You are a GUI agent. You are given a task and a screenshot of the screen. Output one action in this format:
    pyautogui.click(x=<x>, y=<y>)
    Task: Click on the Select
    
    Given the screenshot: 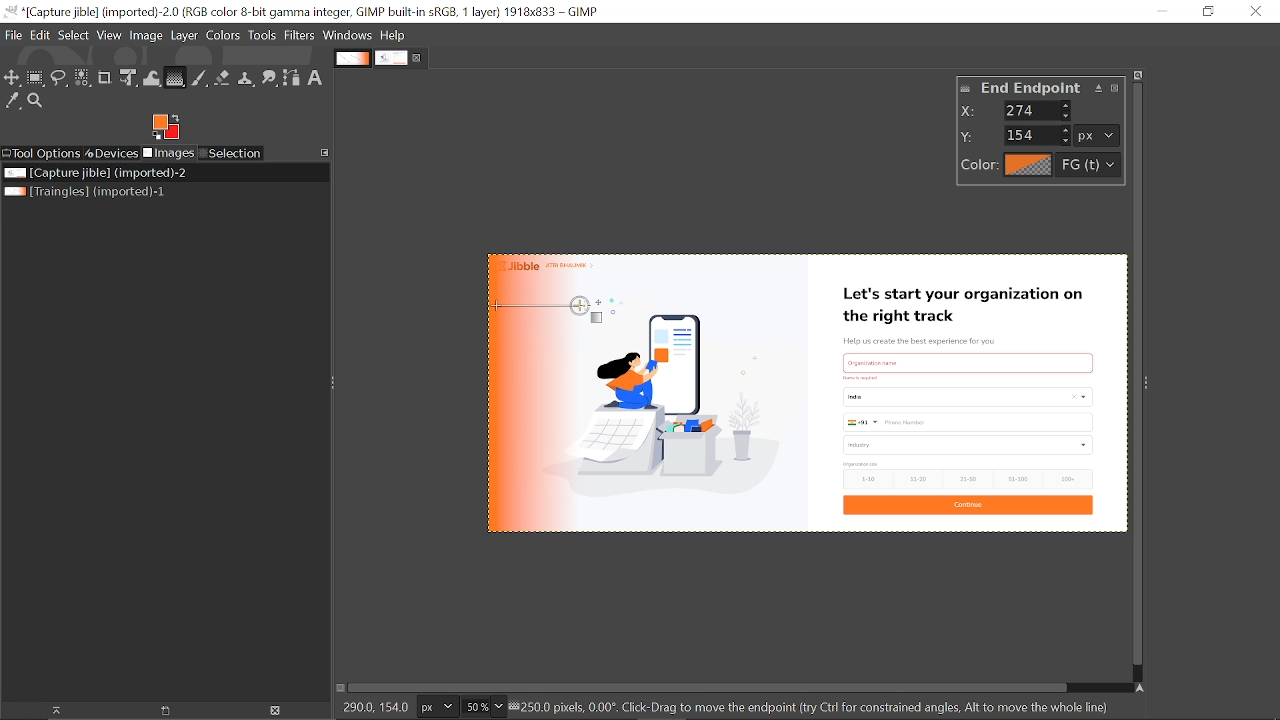 What is the action you would take?
    pyautogui.click(x=73, y=36)
    